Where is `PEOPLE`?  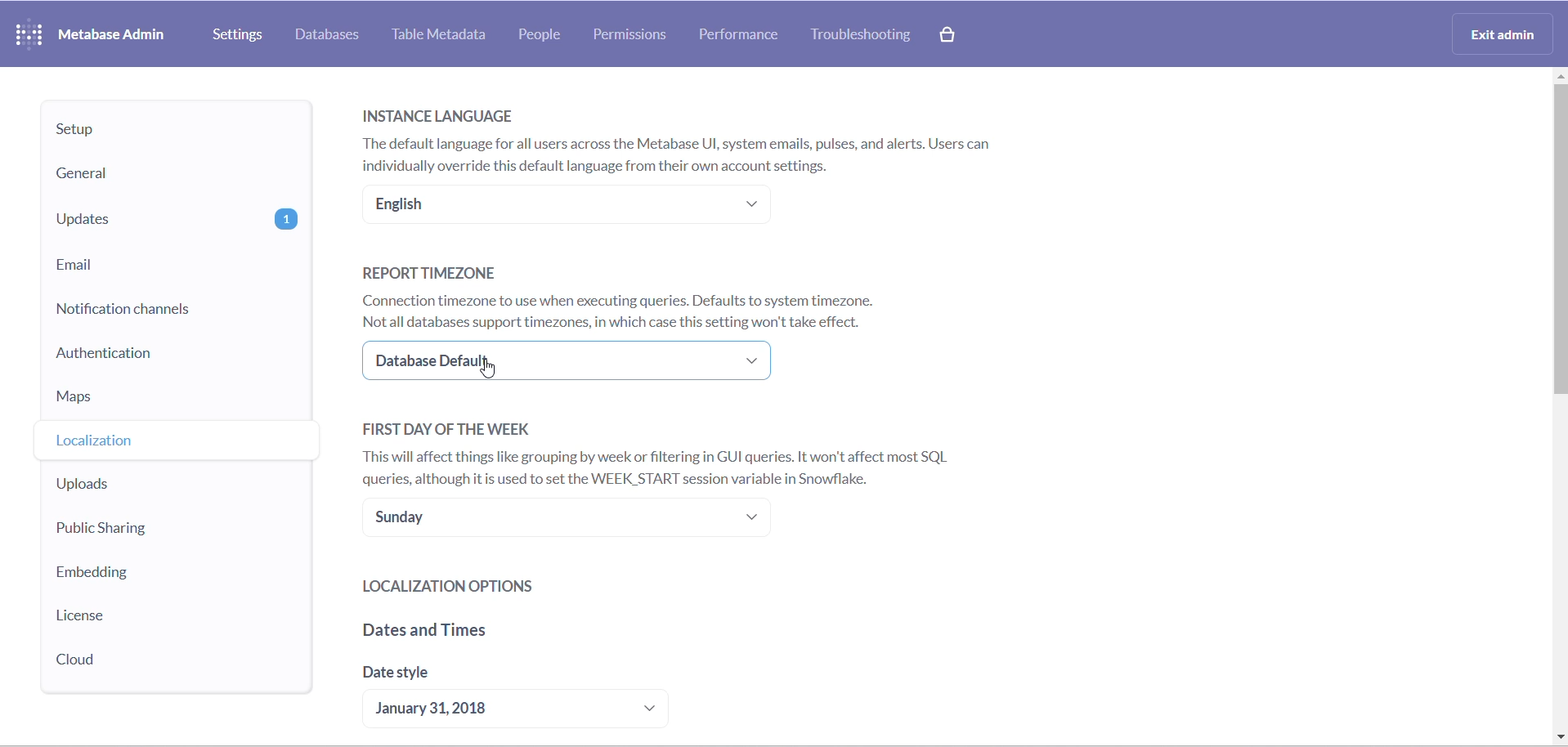
PEOPLE is located at coordinates (548, 35).